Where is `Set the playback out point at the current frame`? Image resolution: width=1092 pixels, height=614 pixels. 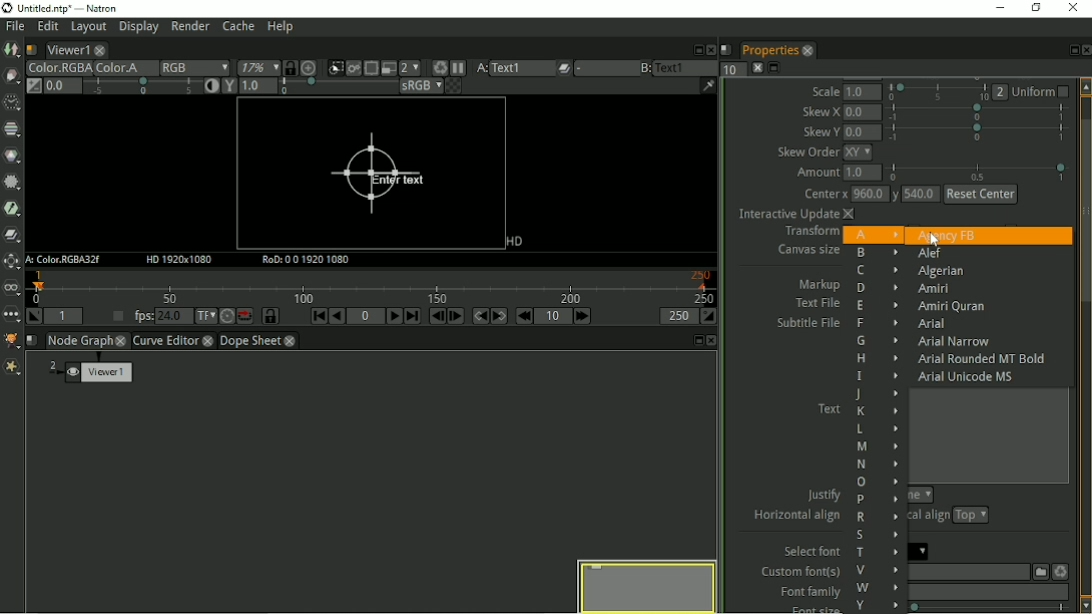
Set the playback out point at the current frame is located at coordinates (710, 316).